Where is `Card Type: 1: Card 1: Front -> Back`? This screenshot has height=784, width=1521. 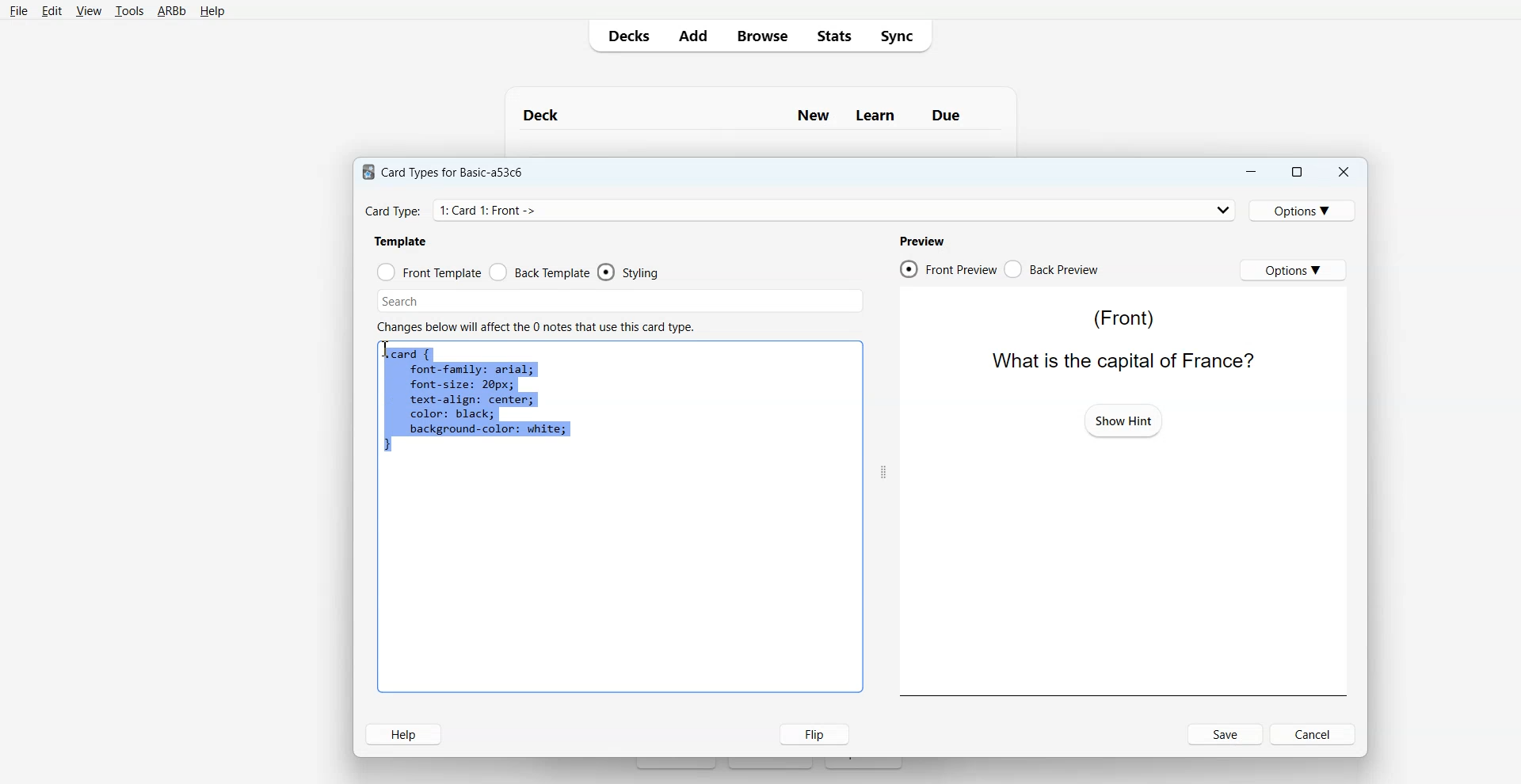 Card Type: 1: Card 1: Front -> Back is located at coordinates (509, 210).